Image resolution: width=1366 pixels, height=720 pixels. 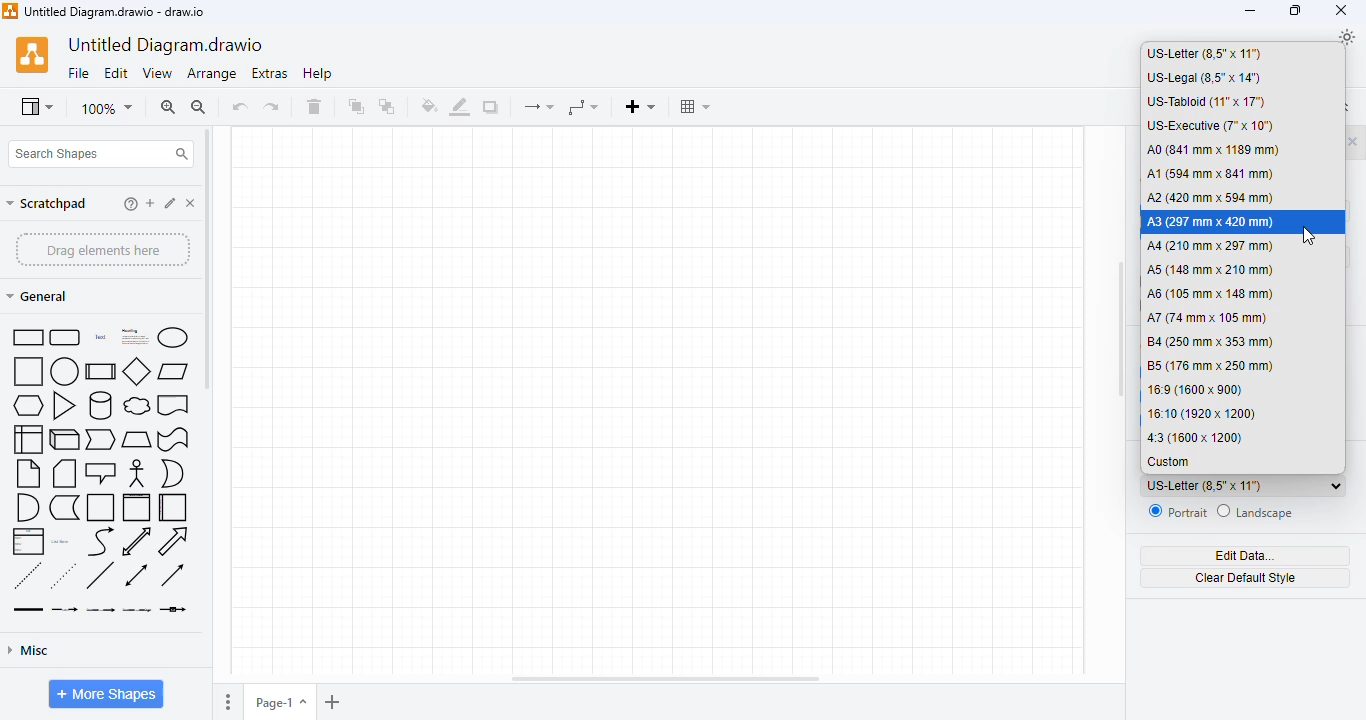 What do you see at coordinates (318, 73) in the screenshot?
I see `help` at bounding box center [318, 73].